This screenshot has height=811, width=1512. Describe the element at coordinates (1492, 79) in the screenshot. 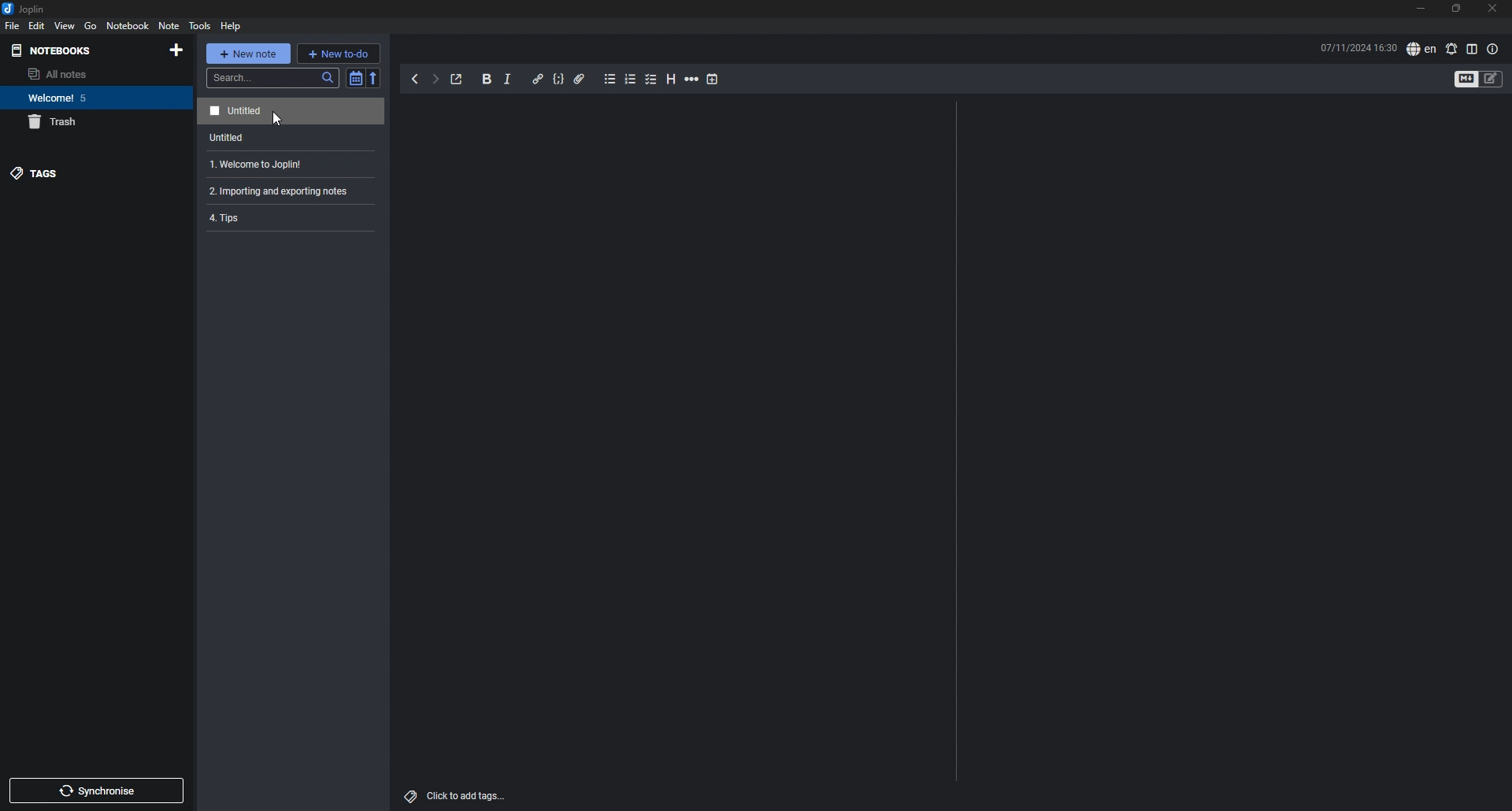

I see `toggle editors` at that location.